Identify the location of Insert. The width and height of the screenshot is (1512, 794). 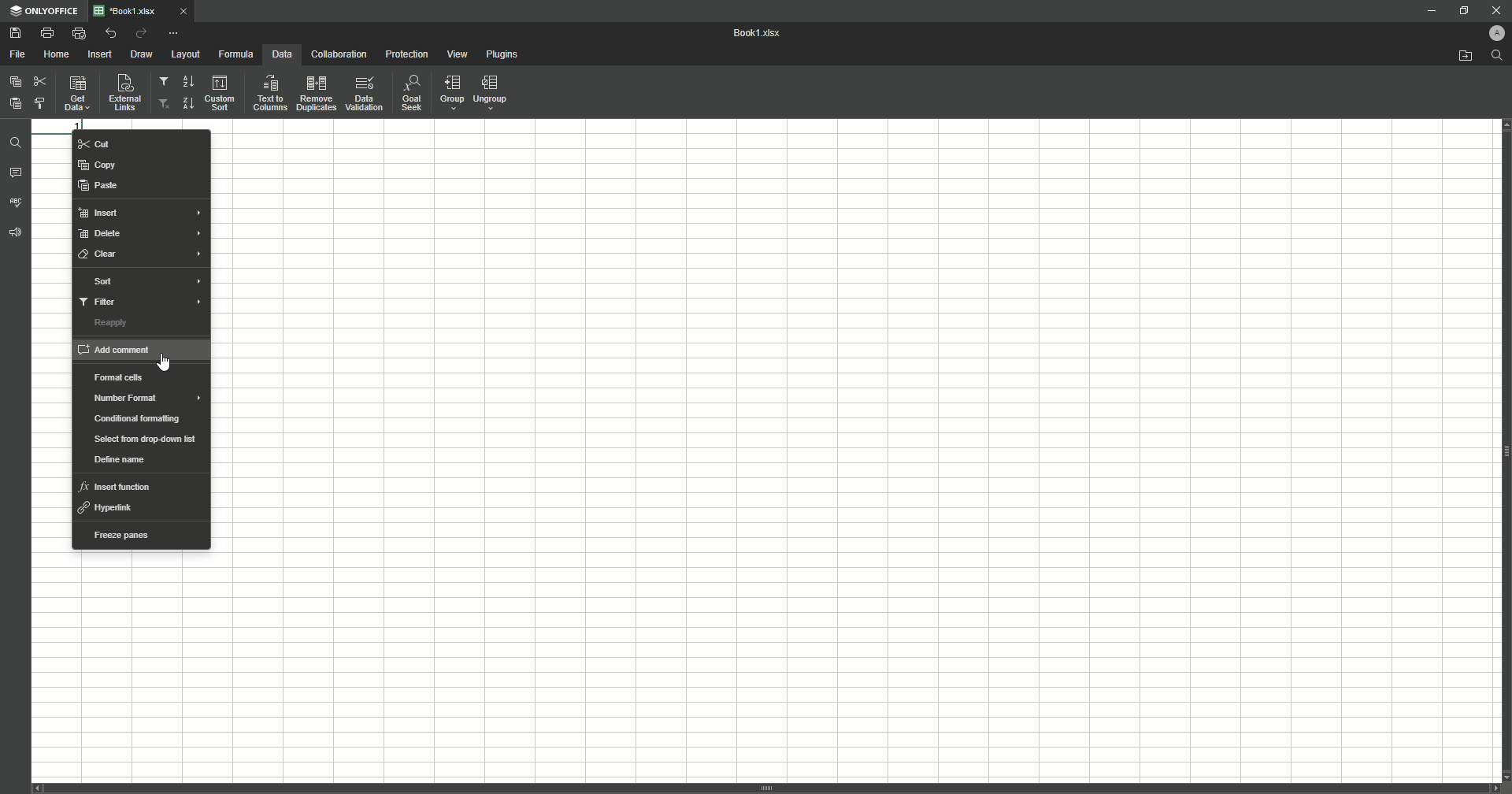
(100, 54).